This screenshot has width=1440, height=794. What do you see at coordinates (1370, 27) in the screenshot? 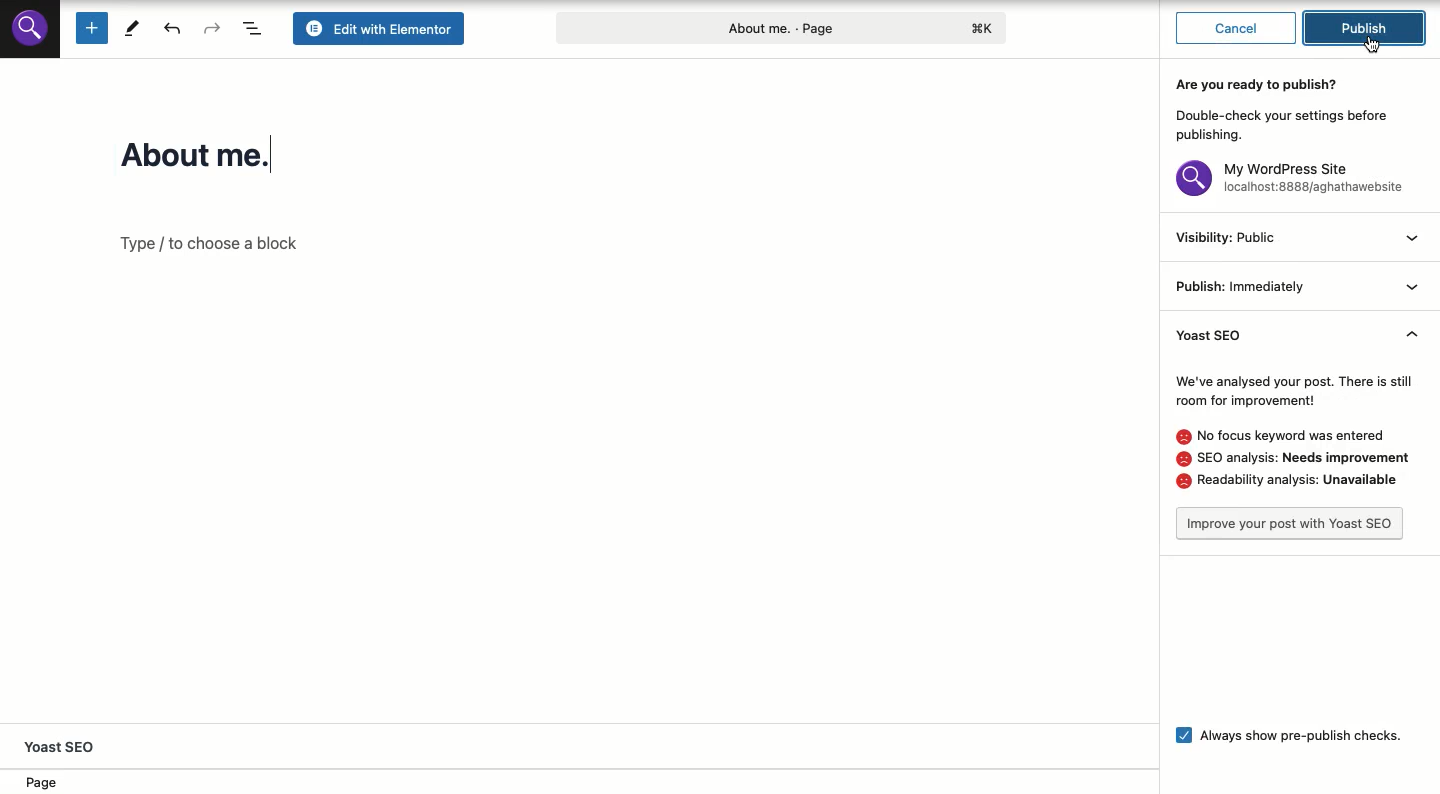
I see `Publish` at bounding box center [1370, 27].